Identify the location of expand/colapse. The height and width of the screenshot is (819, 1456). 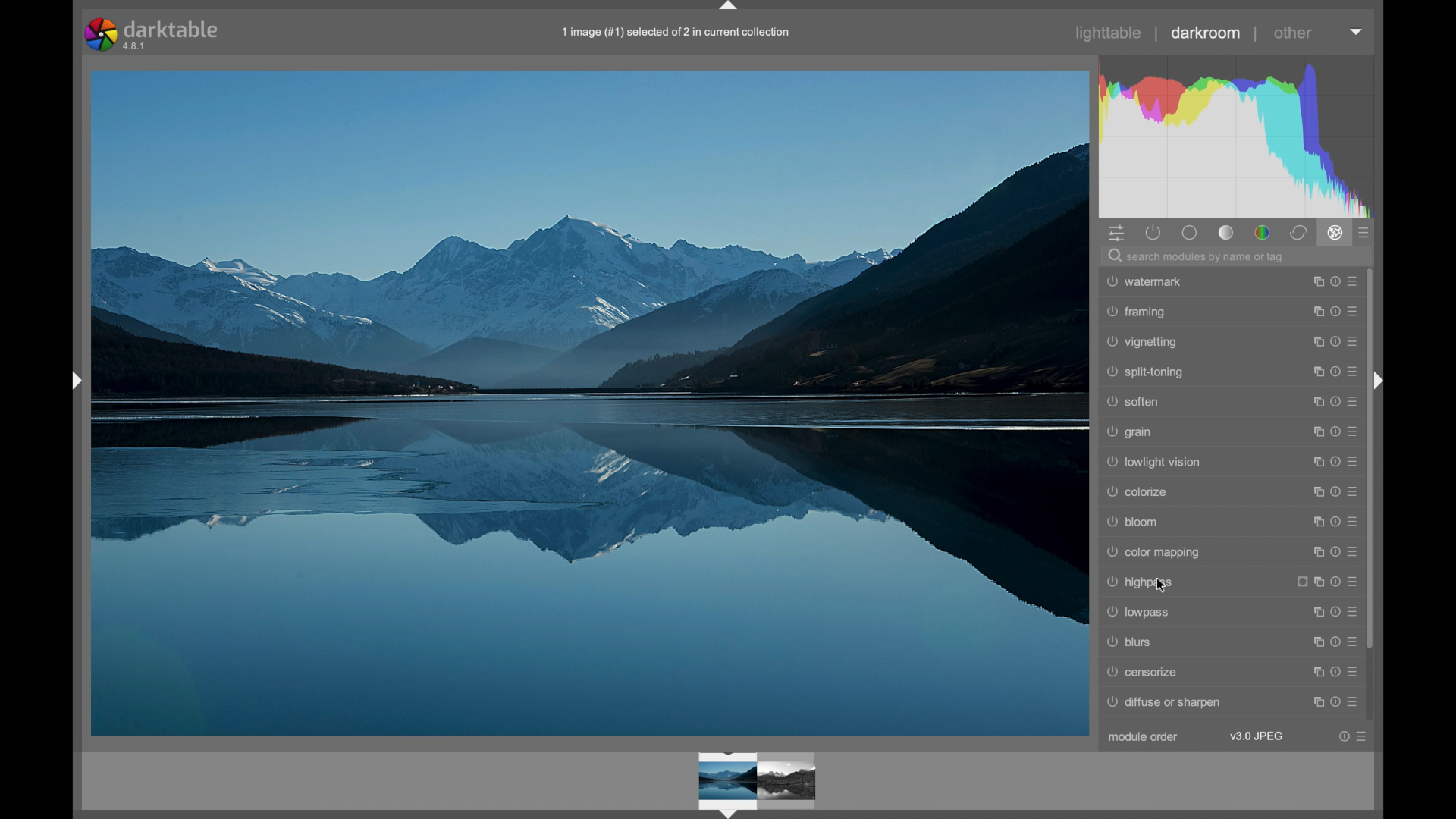
(72, 380).